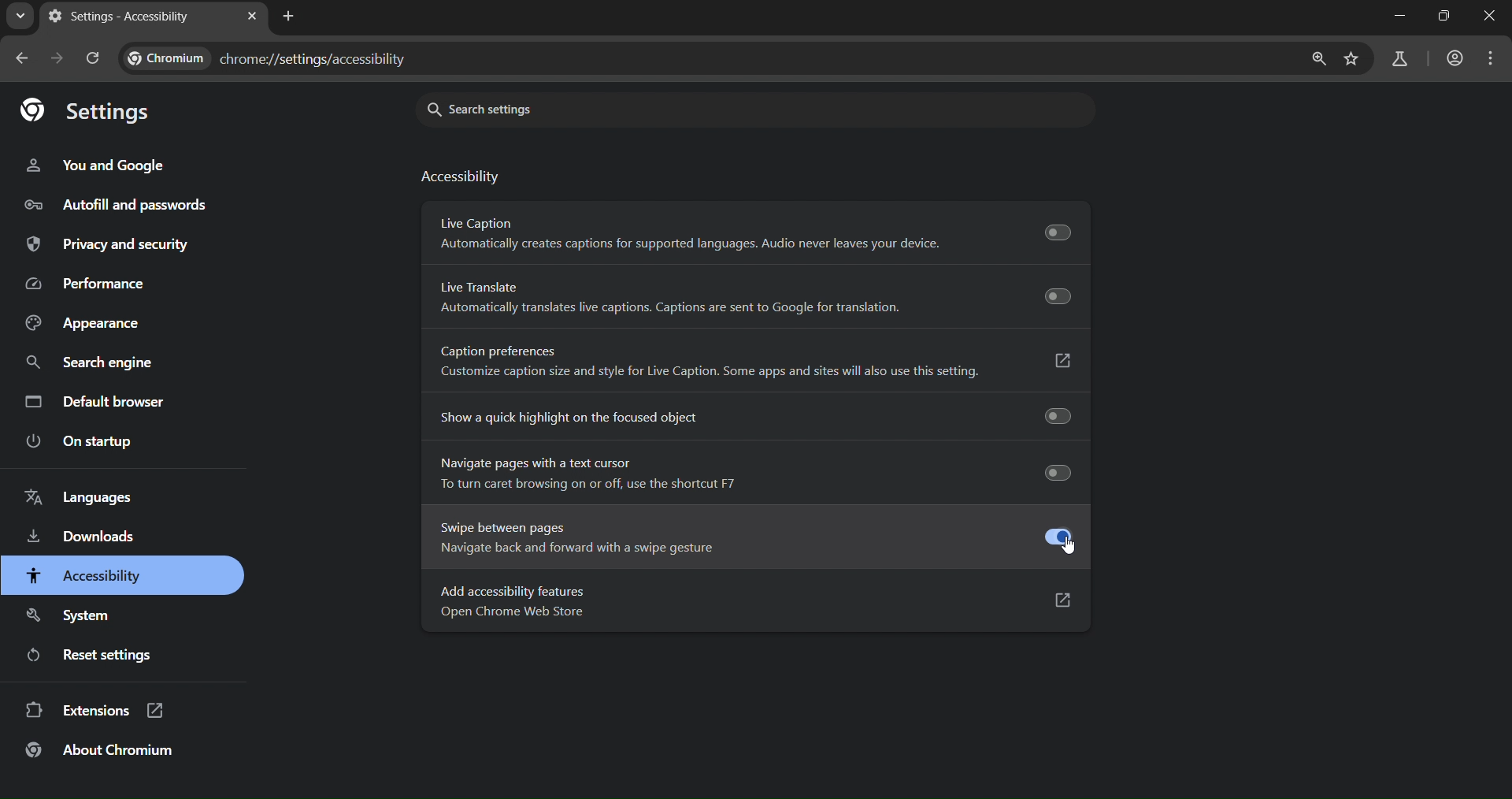  What do you see at coordinates (72, 612) in the screenshot?
I see `system` at bounding box center [72, 612].